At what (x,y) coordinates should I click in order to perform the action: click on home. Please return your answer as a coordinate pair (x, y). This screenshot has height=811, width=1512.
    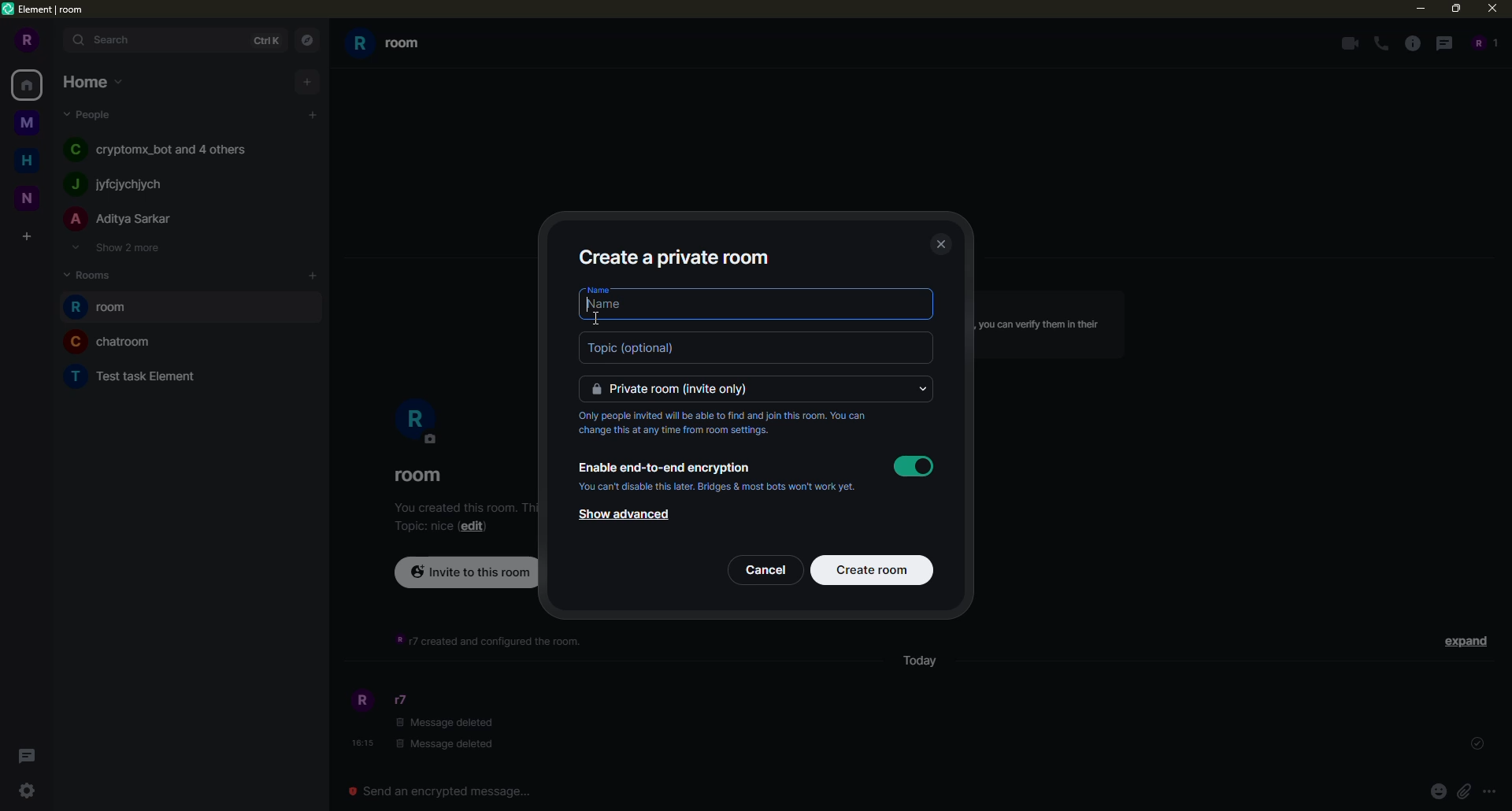
    Looking at the image, I should click on (29, 87).